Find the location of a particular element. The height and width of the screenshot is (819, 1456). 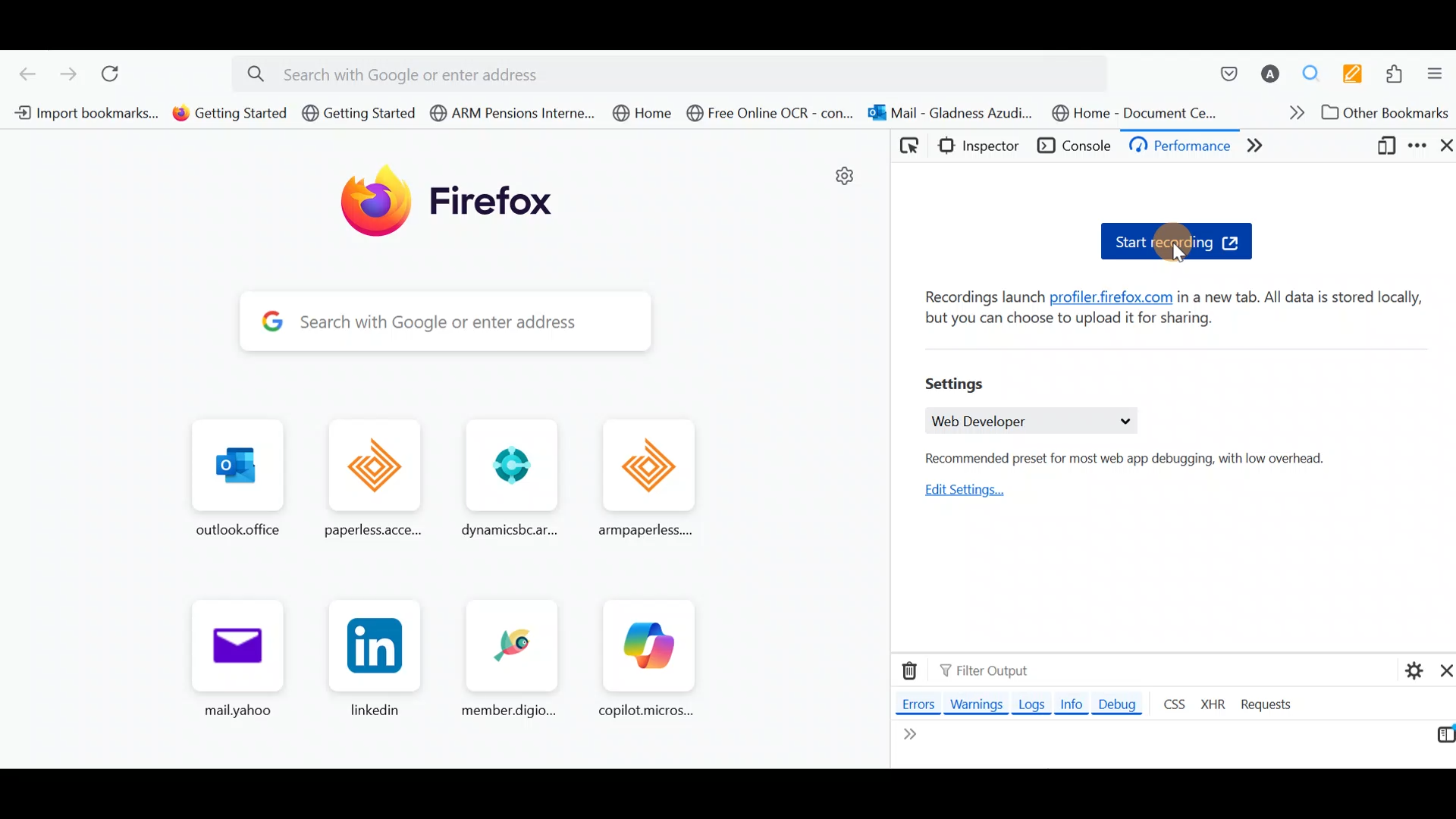

Customize developer tools & get help is located at coordinates (1420, 148).